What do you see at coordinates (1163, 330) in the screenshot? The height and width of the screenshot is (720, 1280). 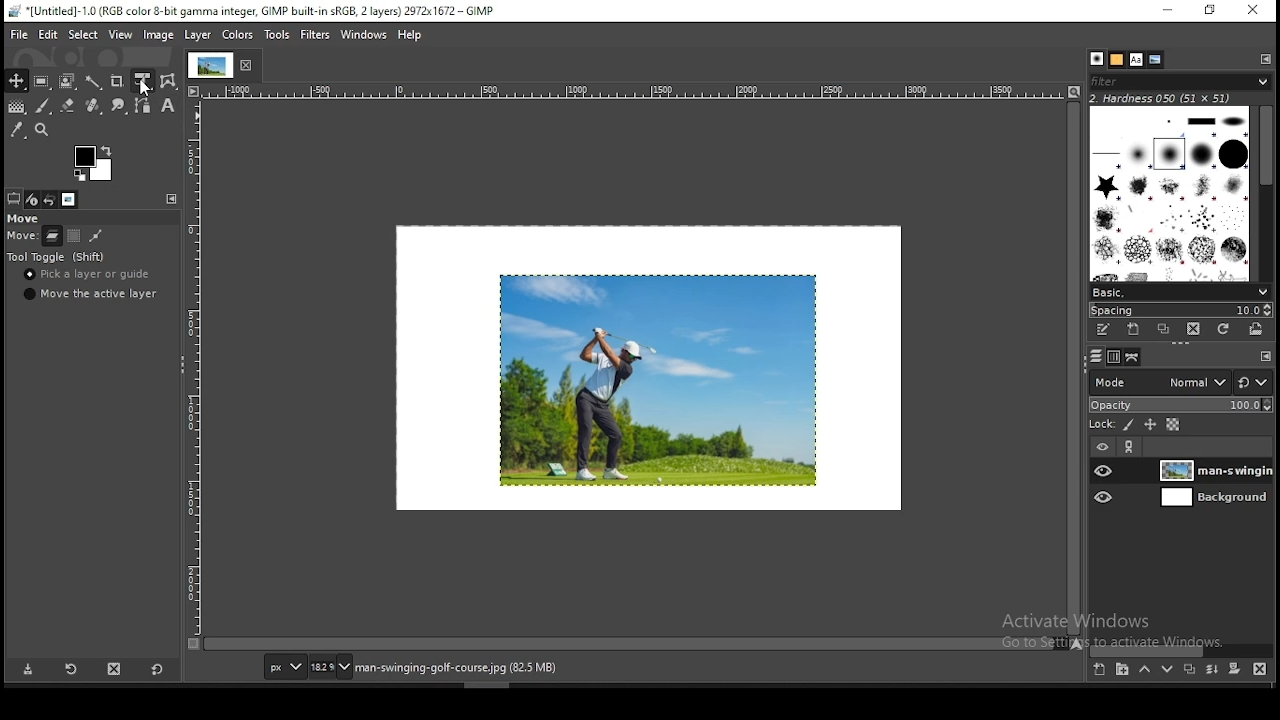 I see `duplicate brush` at bounding box center [1163, 330].